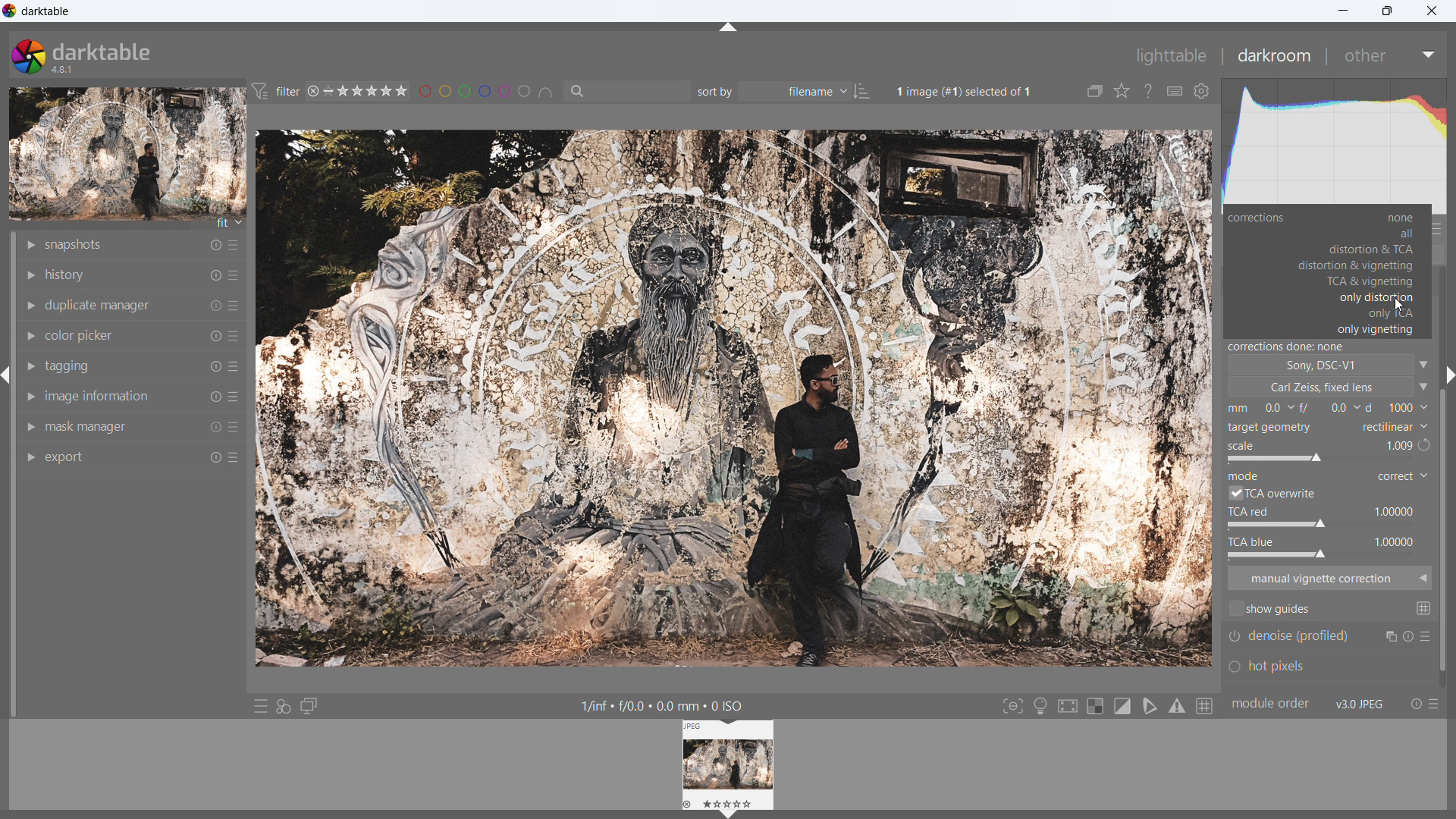 The width and height of the screenshot is (1456, 819). What do you see at coordinates (214, 397) in the screenshot?
I see `reset` at bounding box center [214, 397].